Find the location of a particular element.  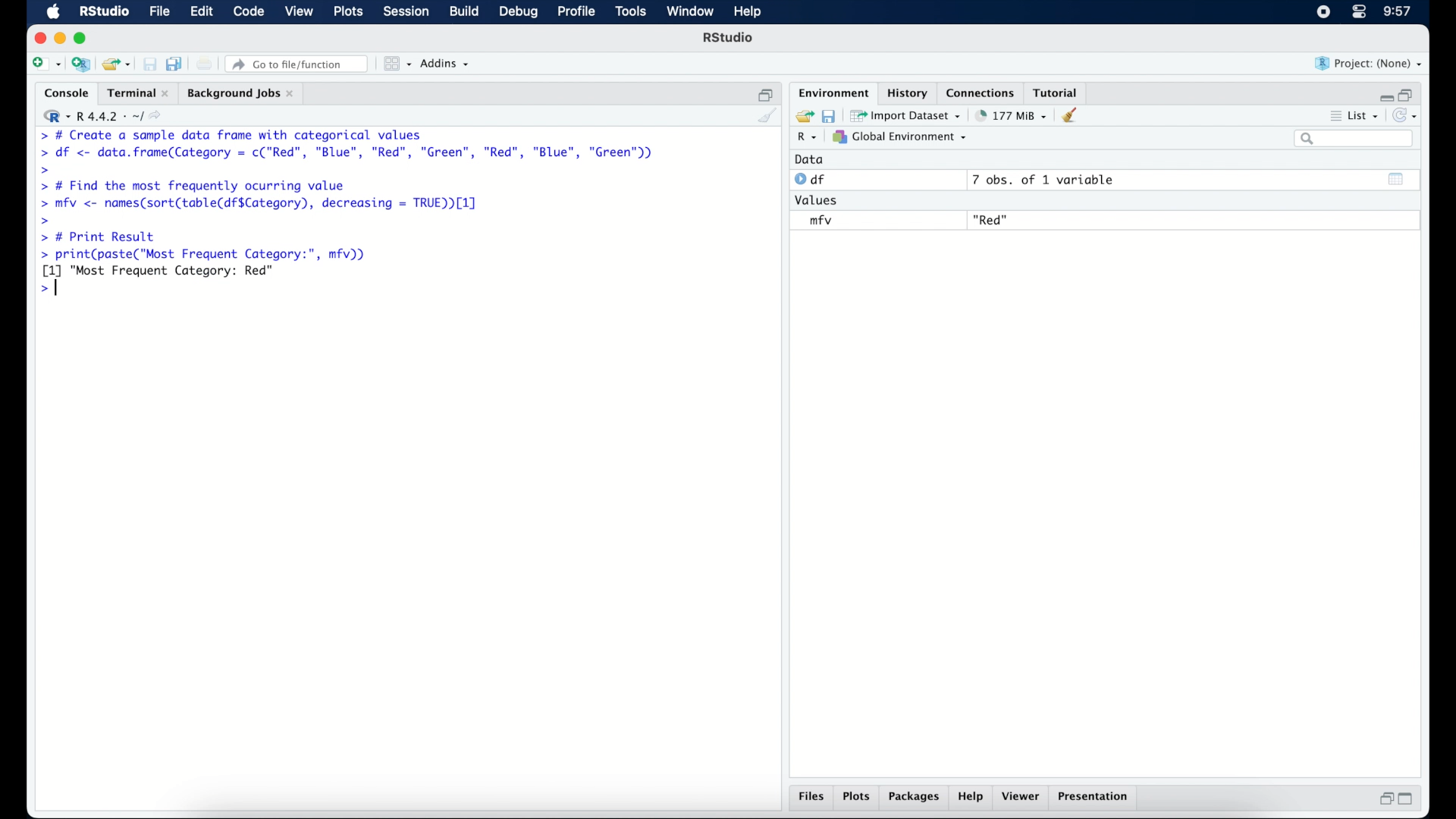

history is located at coordinates (909, 93).